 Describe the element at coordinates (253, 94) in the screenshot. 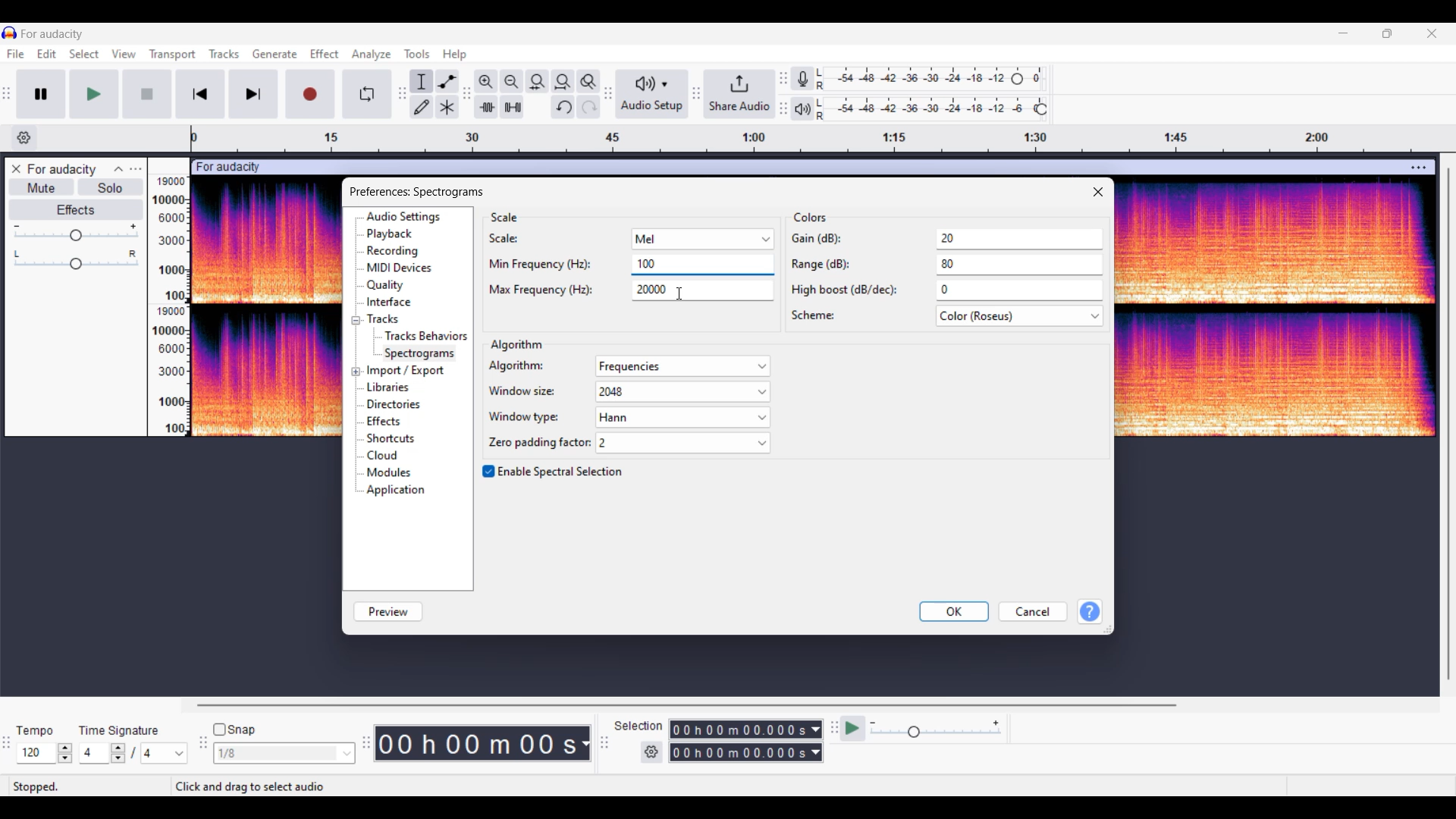

I see `Skip/Select to end` at that location.